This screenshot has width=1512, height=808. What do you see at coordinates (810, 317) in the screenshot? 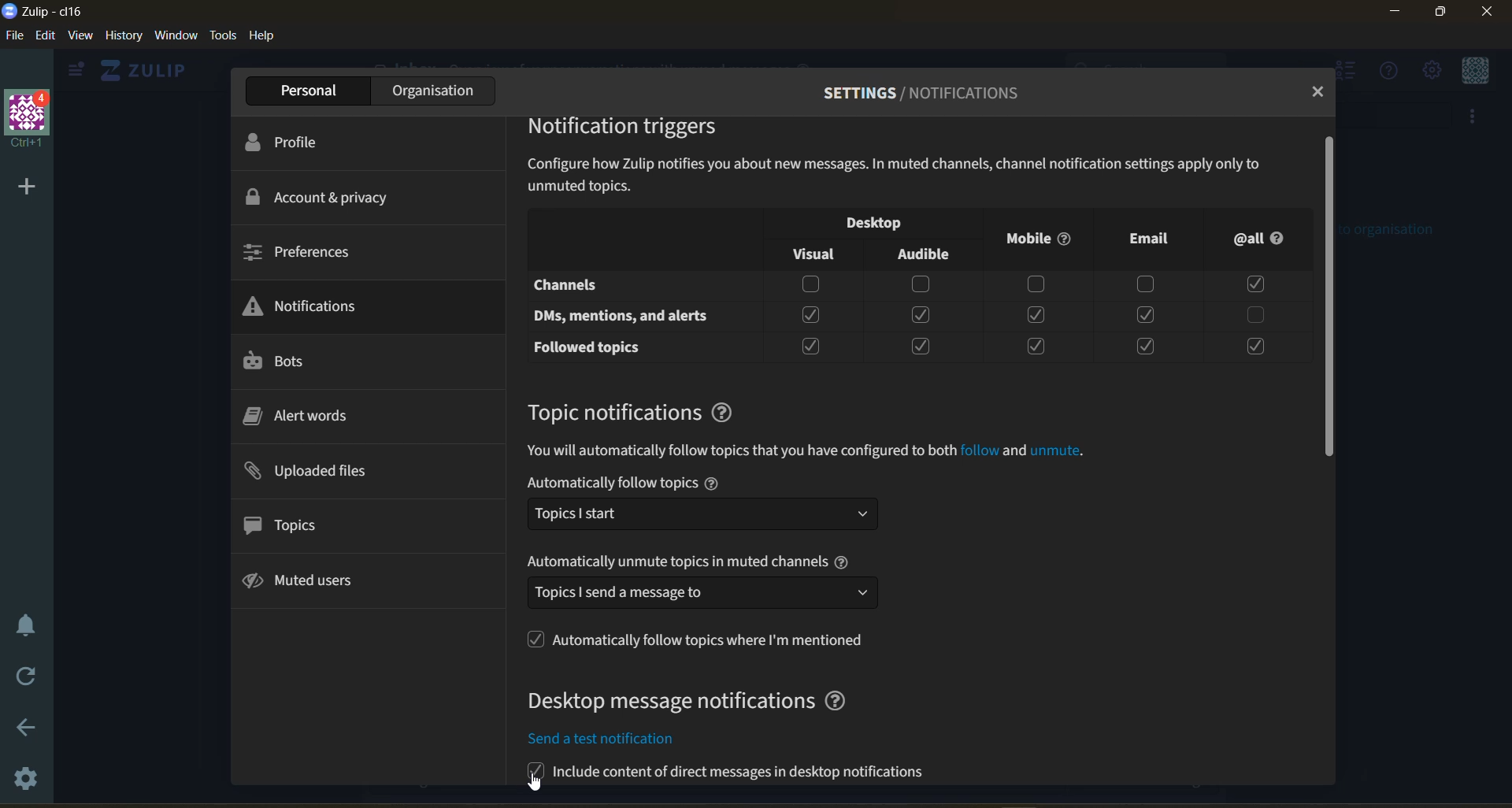
I see `Checkbox` at bounding box center [810, 317].